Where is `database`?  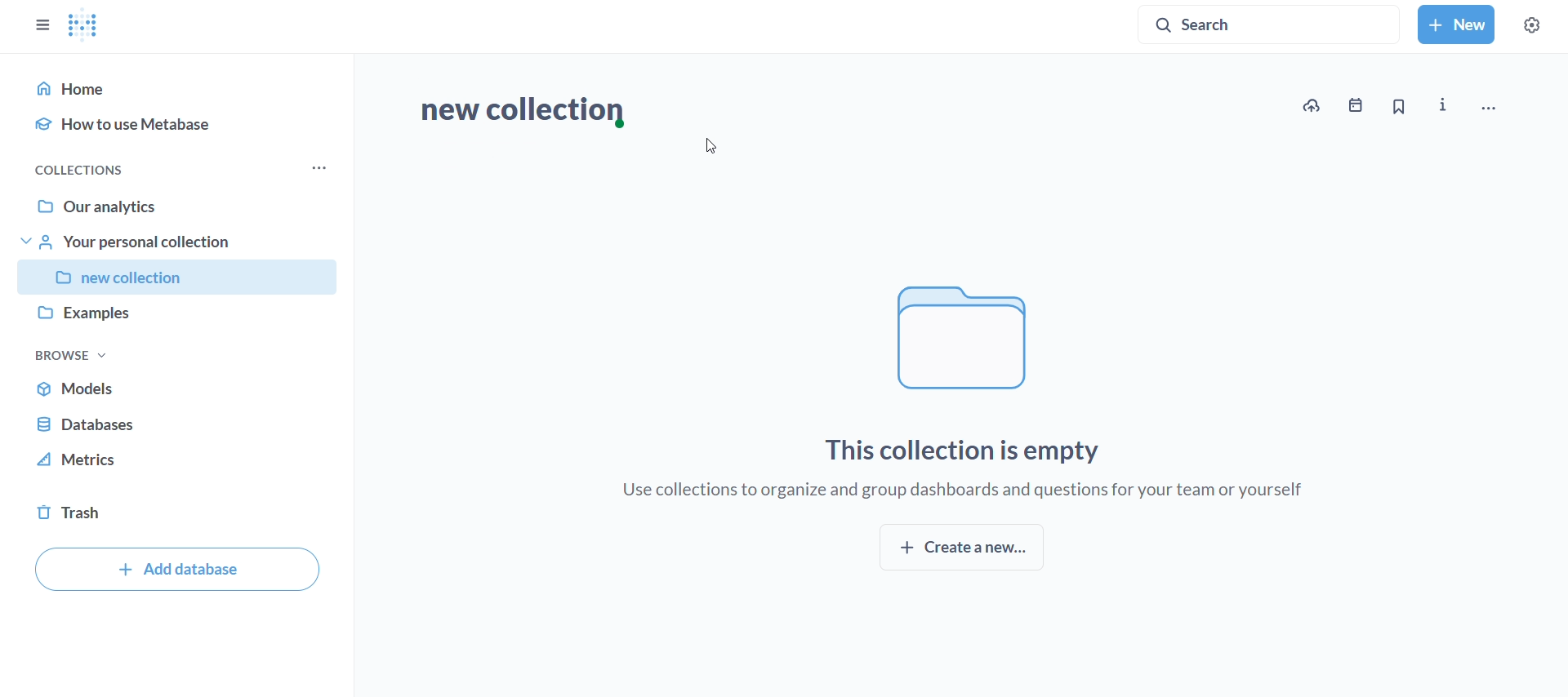
database is located at coordinates (178, 420).